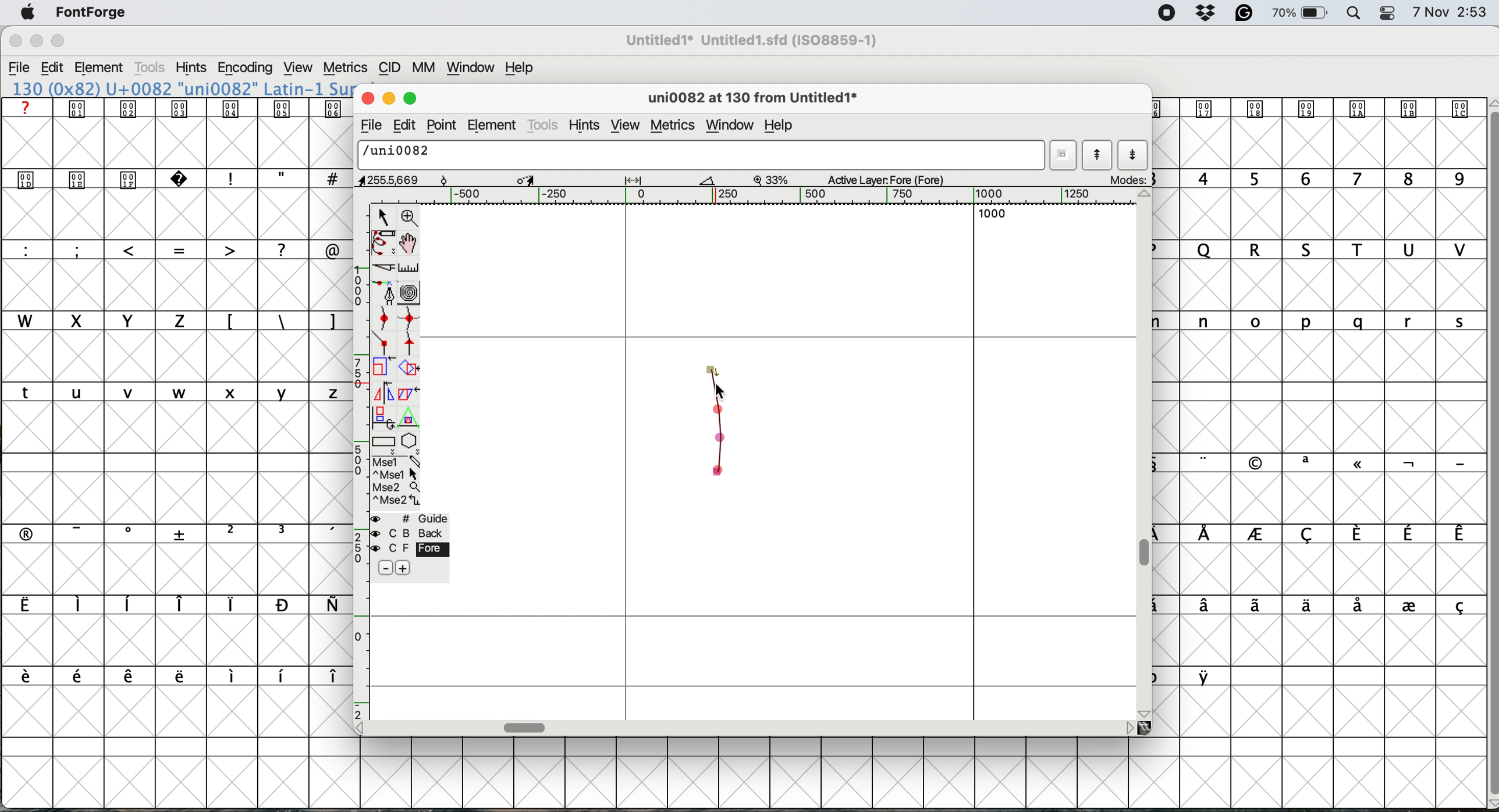  I want to click on special characters, so click(278, 320).